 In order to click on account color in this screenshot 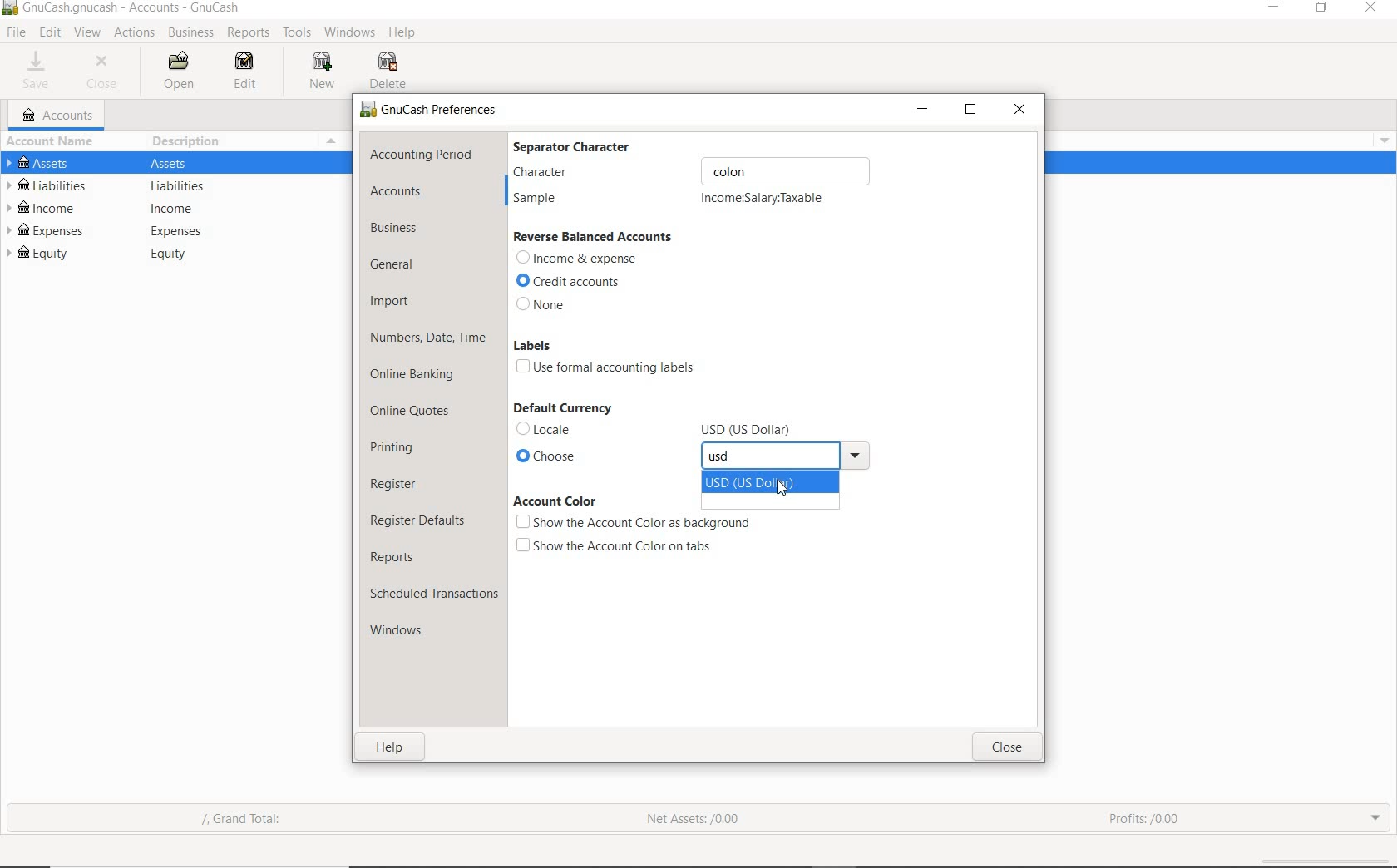, I will do `click(554, 501)`.